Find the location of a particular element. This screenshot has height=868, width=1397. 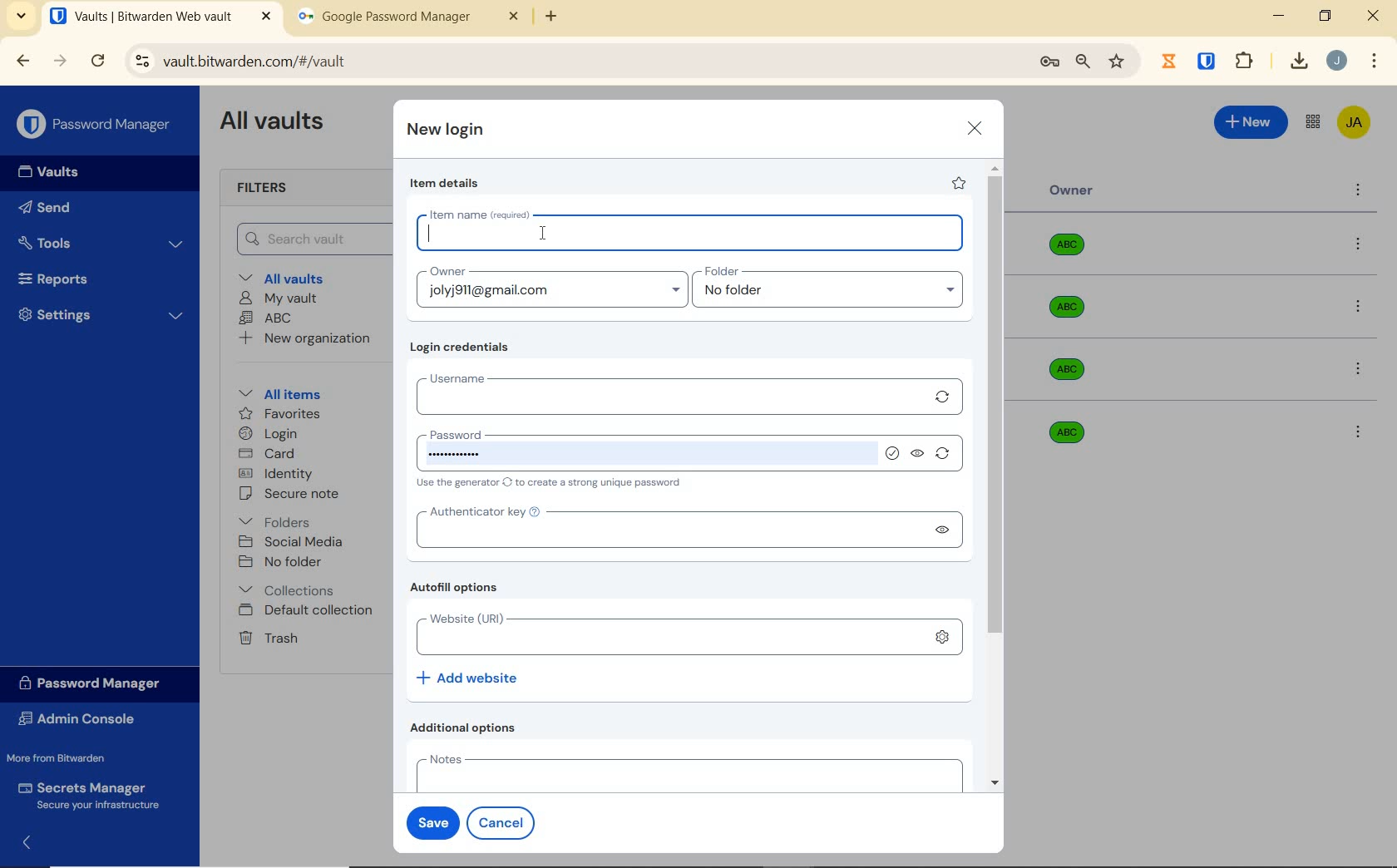

Add website is located at coordinates (469, 677).